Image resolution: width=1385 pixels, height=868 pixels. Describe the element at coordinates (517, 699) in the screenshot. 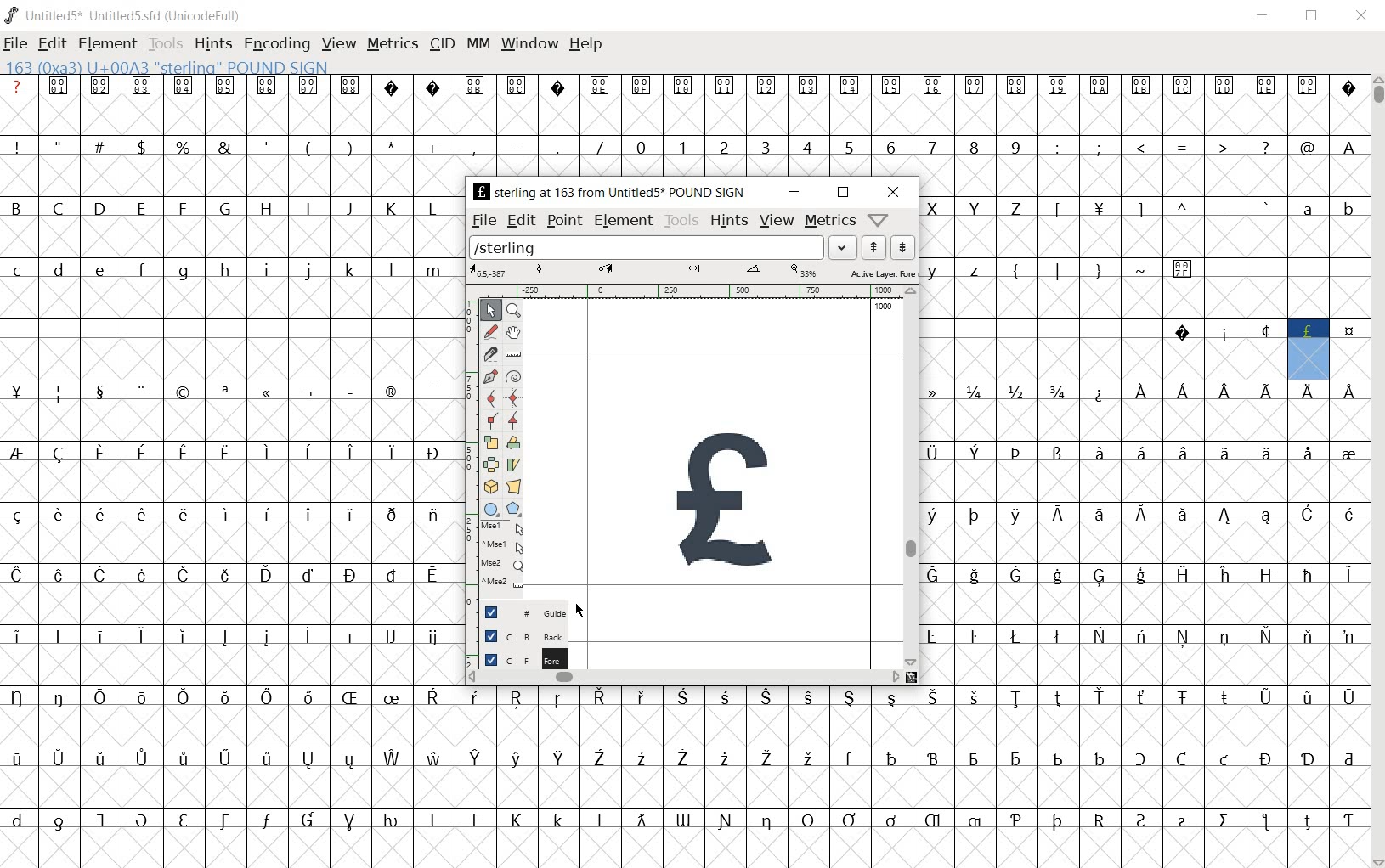

I see `Symbol` at that location.